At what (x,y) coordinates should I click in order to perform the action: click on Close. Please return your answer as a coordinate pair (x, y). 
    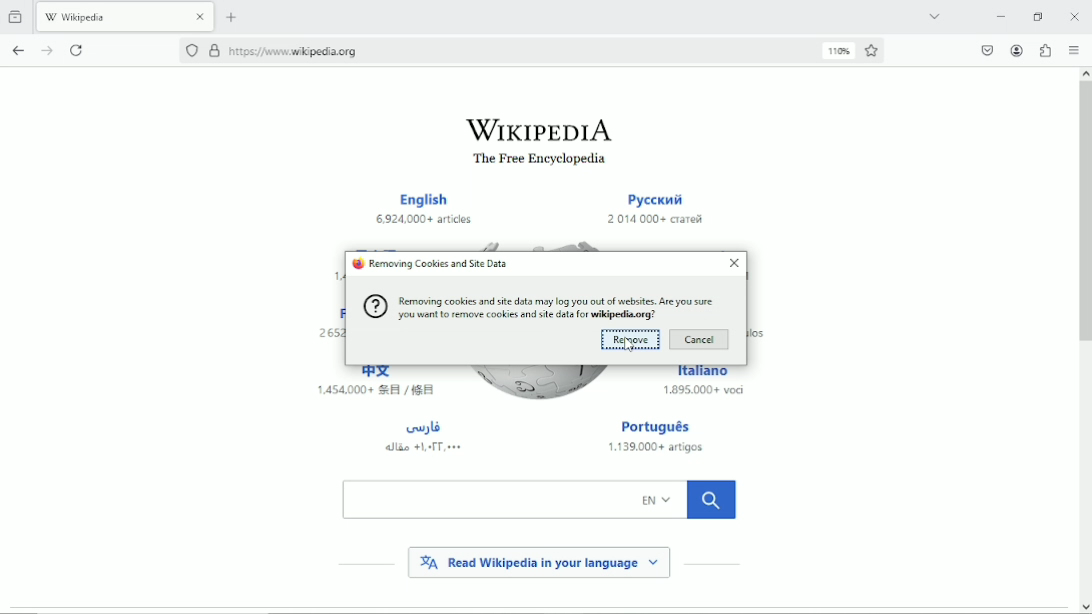
    Looking at the image, I should click on (1075, 16).